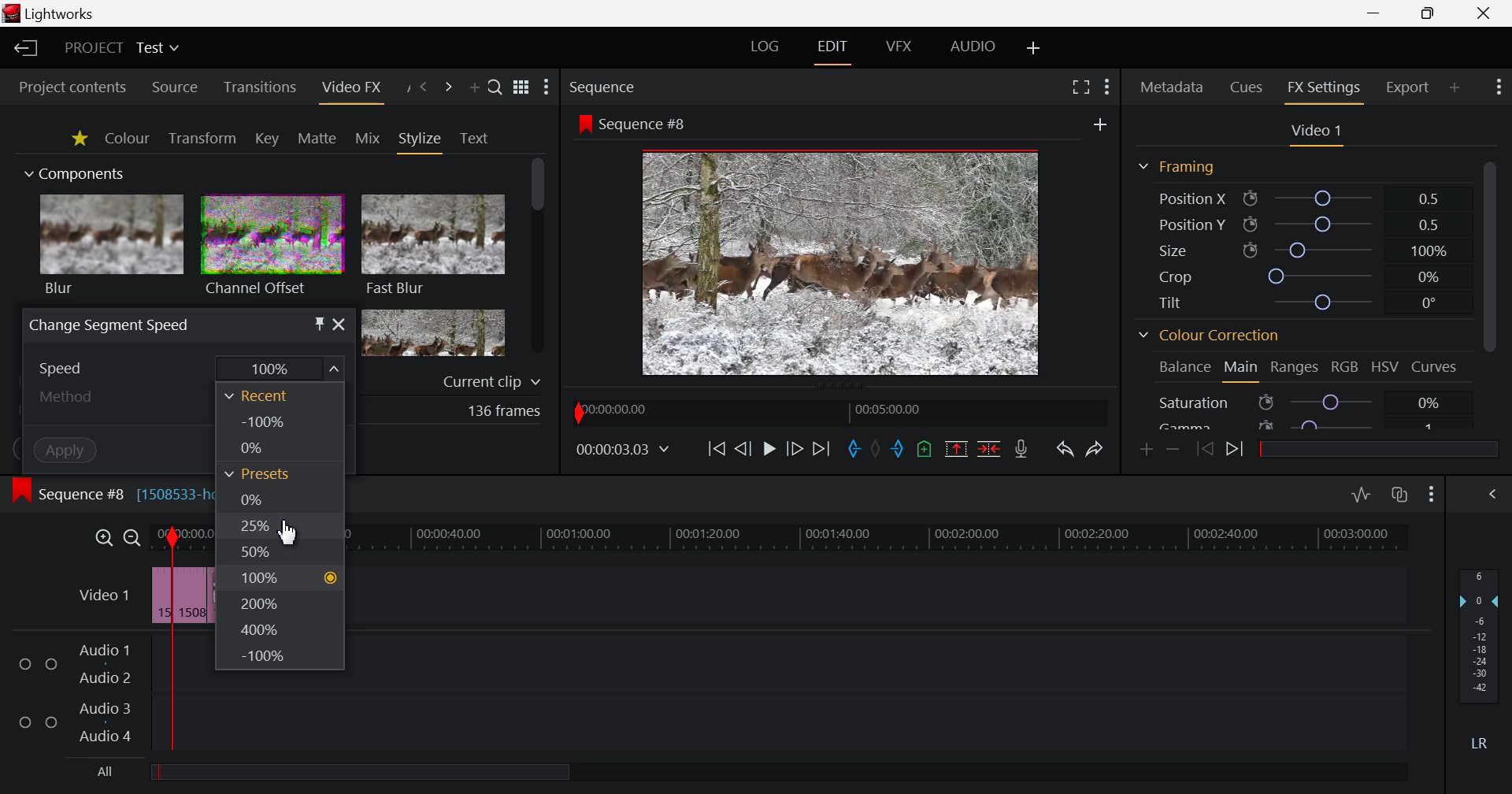 The image size is (1512, 794). Describe the element at coordinates (25, 49) in the screenshot. I see `Back to Homepage` at that location.